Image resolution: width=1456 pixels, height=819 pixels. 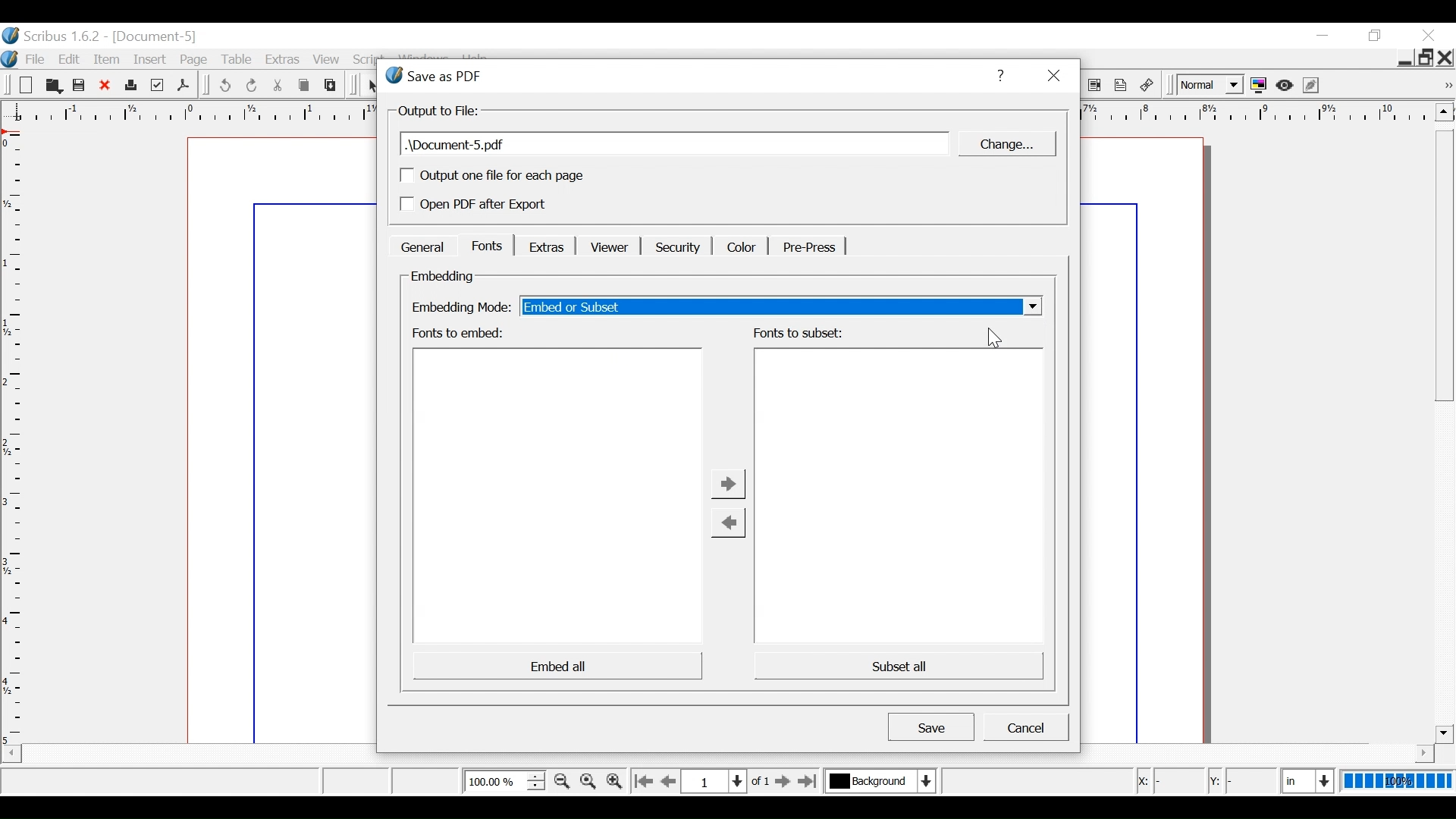 I want to click on Y Coordintae, so click(x=1241, y=782).